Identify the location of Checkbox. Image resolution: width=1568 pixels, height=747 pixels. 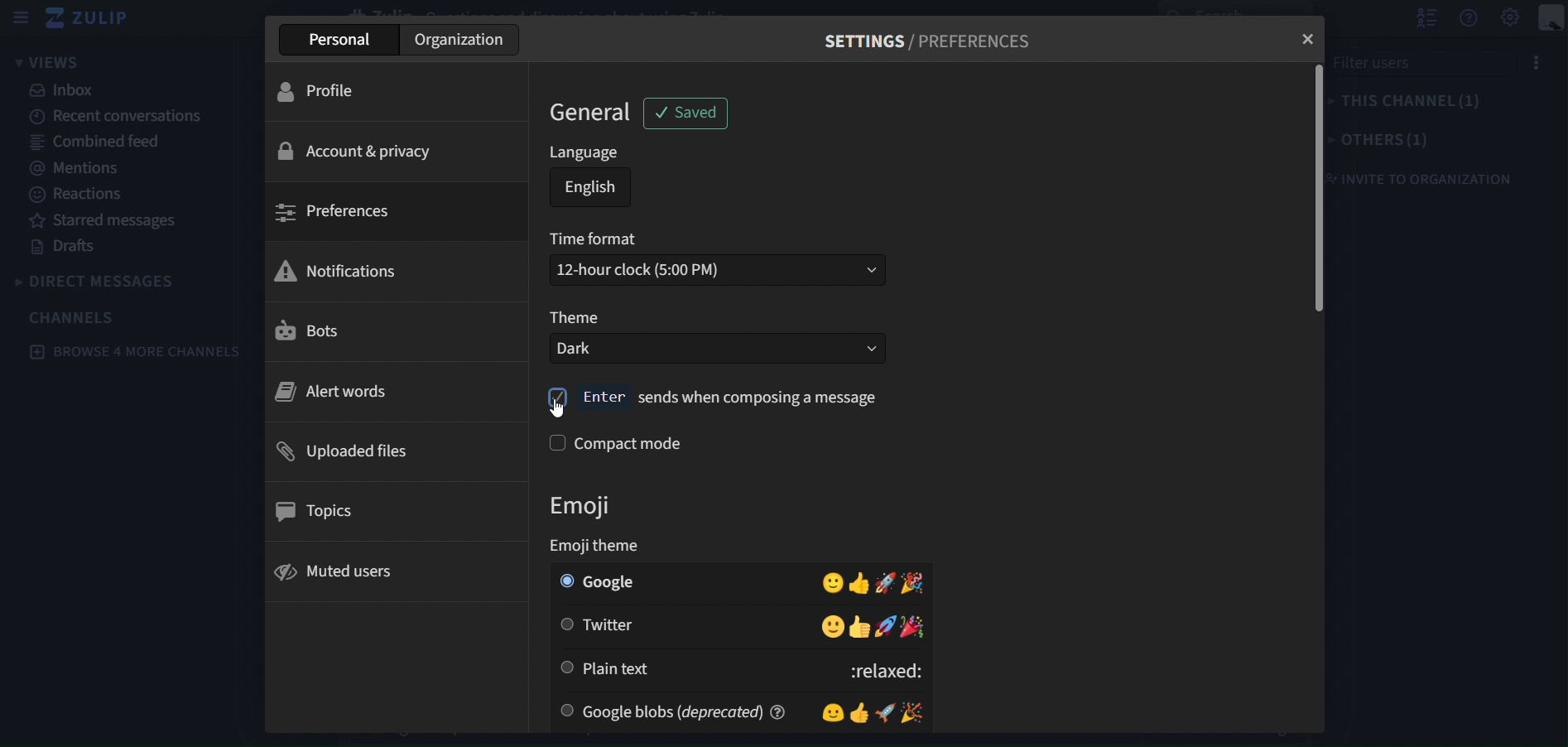
(564, 581).